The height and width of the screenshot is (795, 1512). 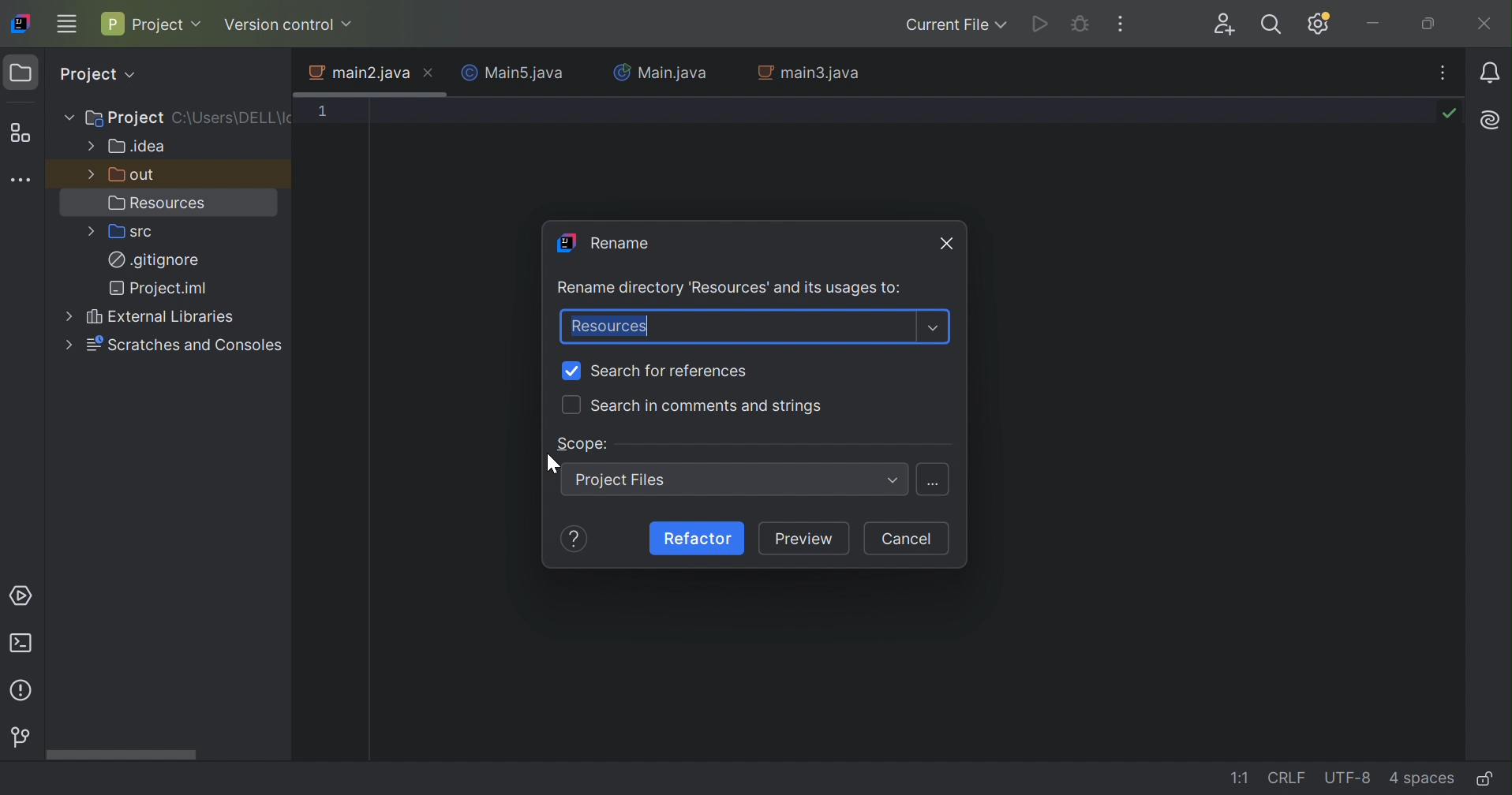 What do you see at coordinates (602, 240) in the screenshot?
I see `Rename` at bounding box center [602, 240].